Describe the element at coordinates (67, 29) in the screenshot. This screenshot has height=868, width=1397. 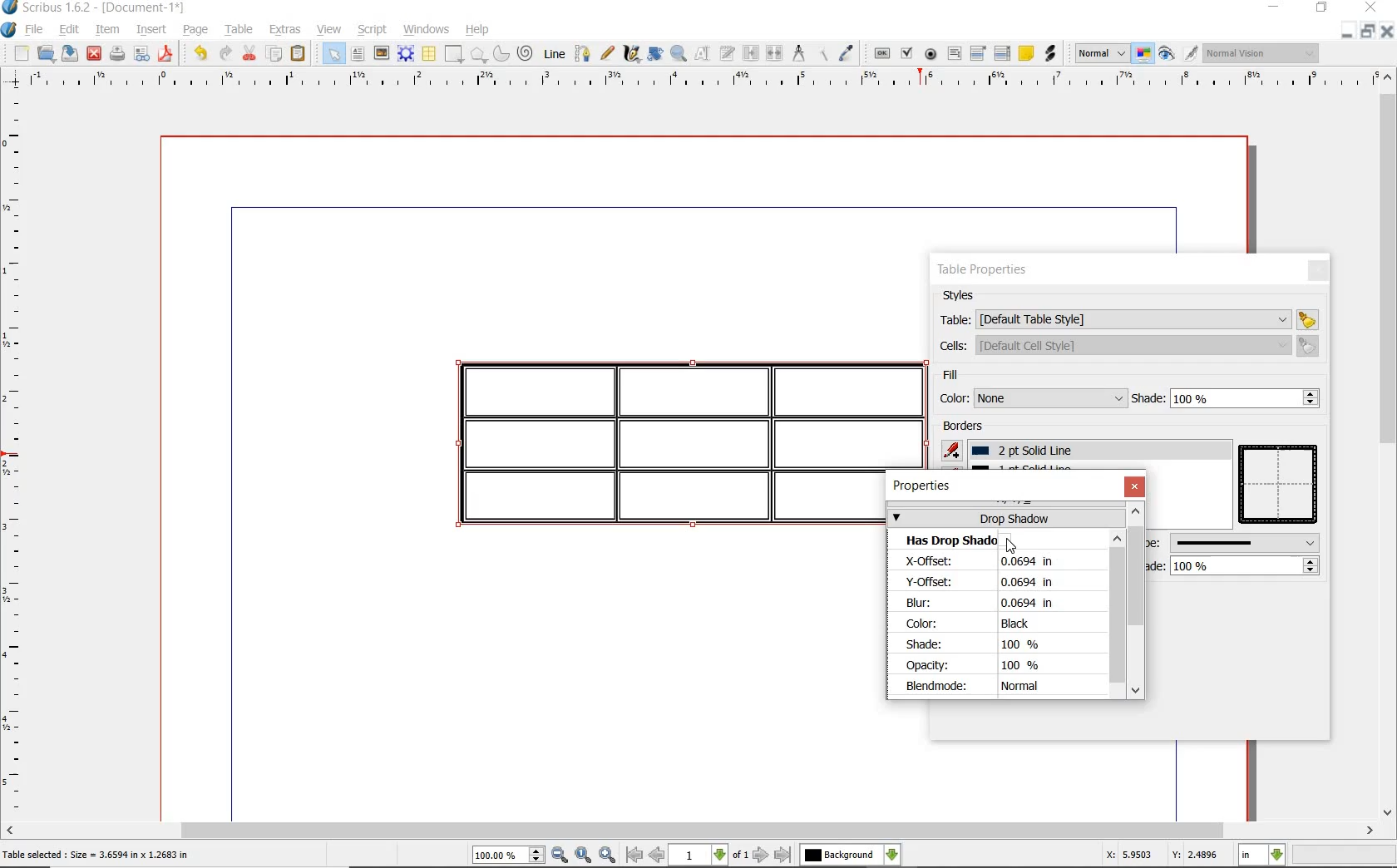
I see `edit` at that location.